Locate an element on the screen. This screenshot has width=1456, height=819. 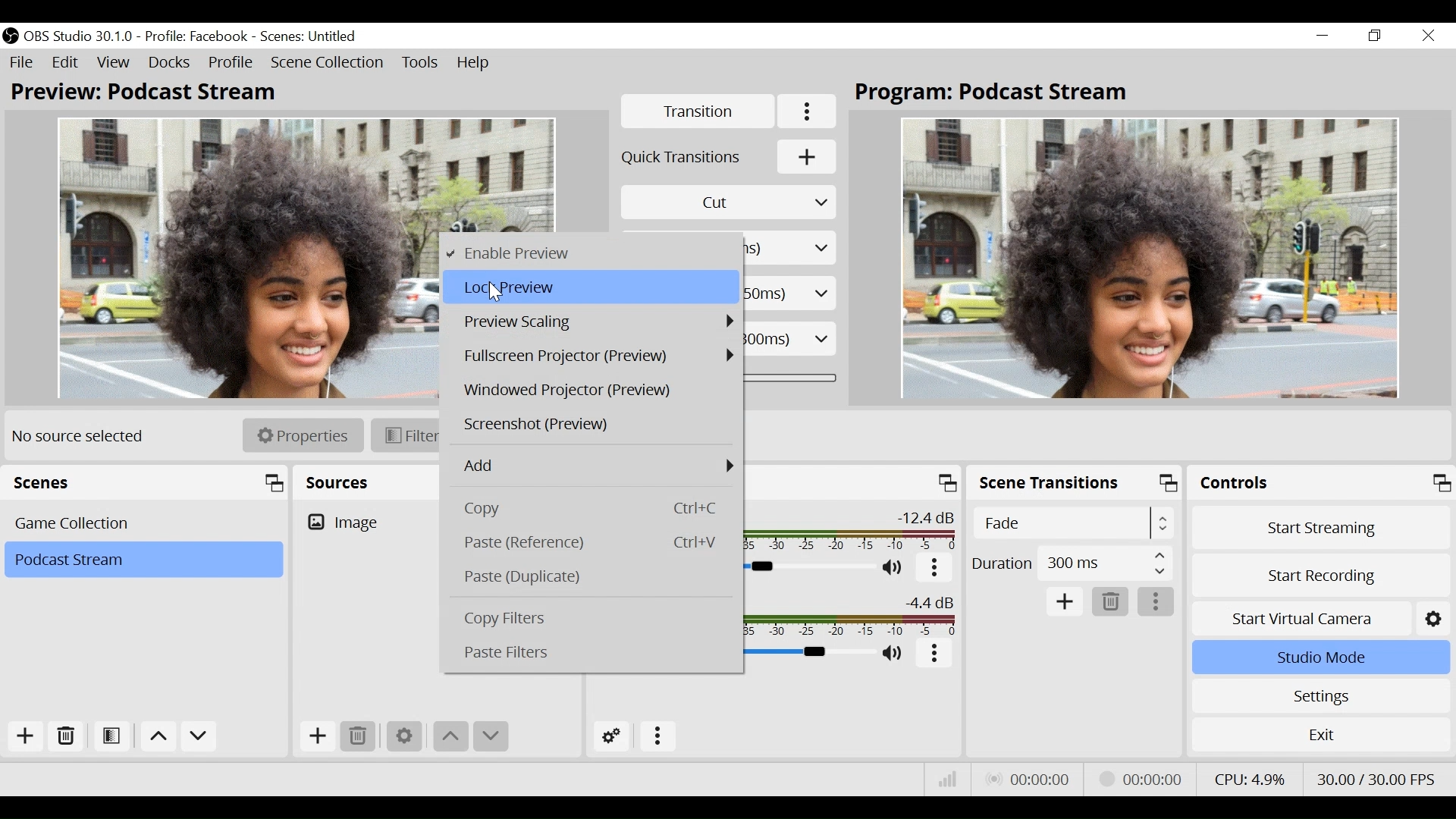
Preview Scaling is located at coordinates (591, 320).